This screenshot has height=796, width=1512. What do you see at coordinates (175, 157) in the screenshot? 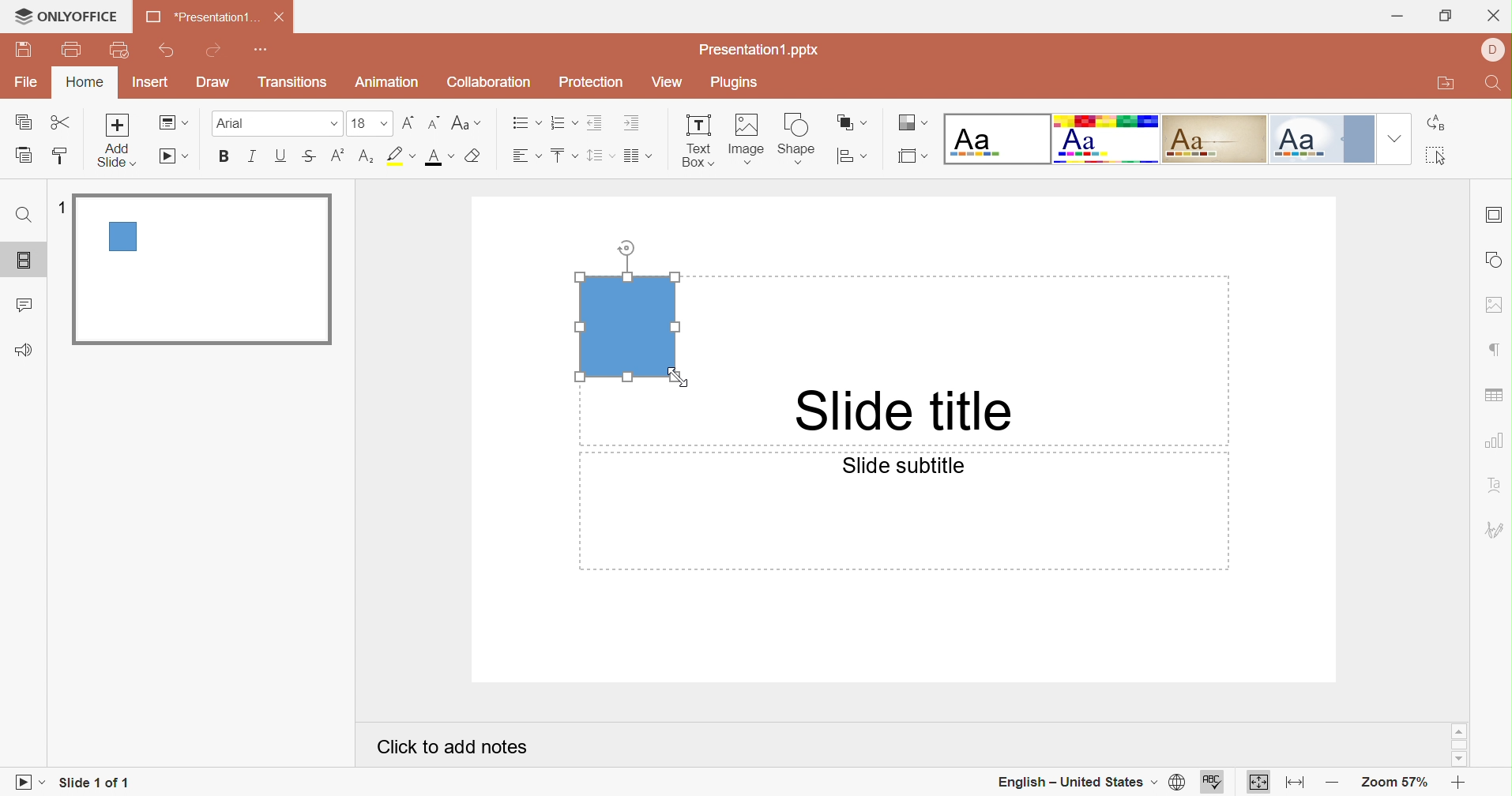
I see `Start slideshow` at bounding box center [175, 157].